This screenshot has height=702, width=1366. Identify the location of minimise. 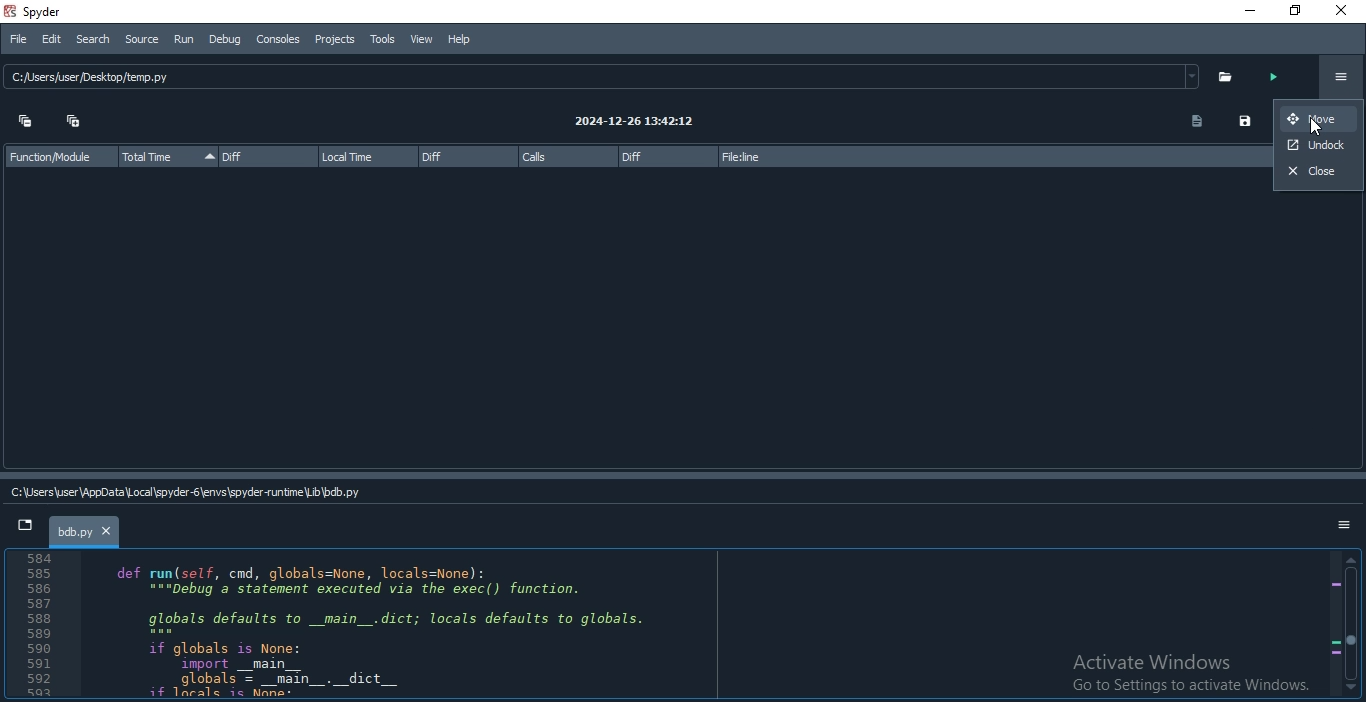
(1248, 13).